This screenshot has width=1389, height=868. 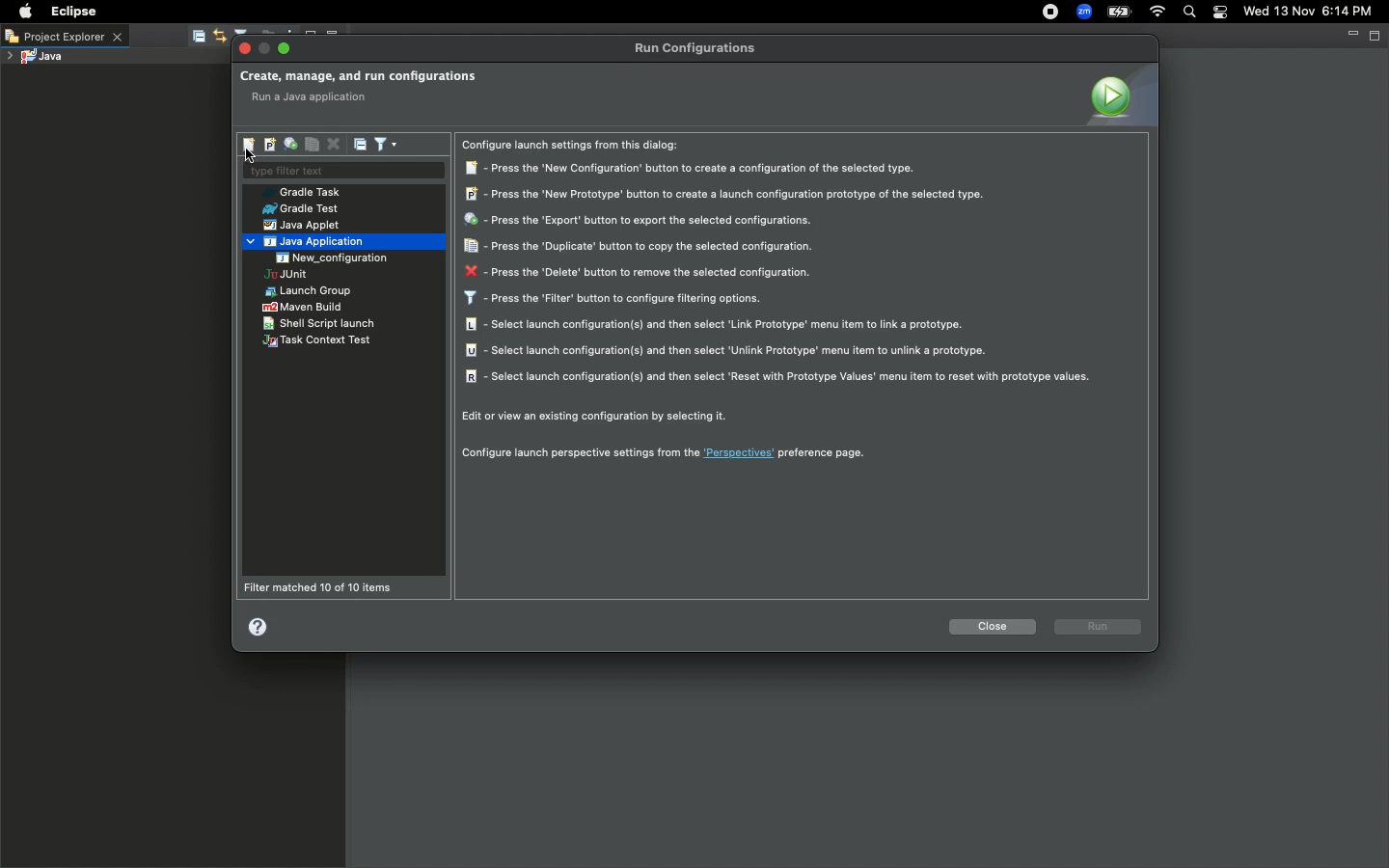 I want to click on Press the 'New Configuration' button to create a configuration of the selected type., so click(x=694, y=169).